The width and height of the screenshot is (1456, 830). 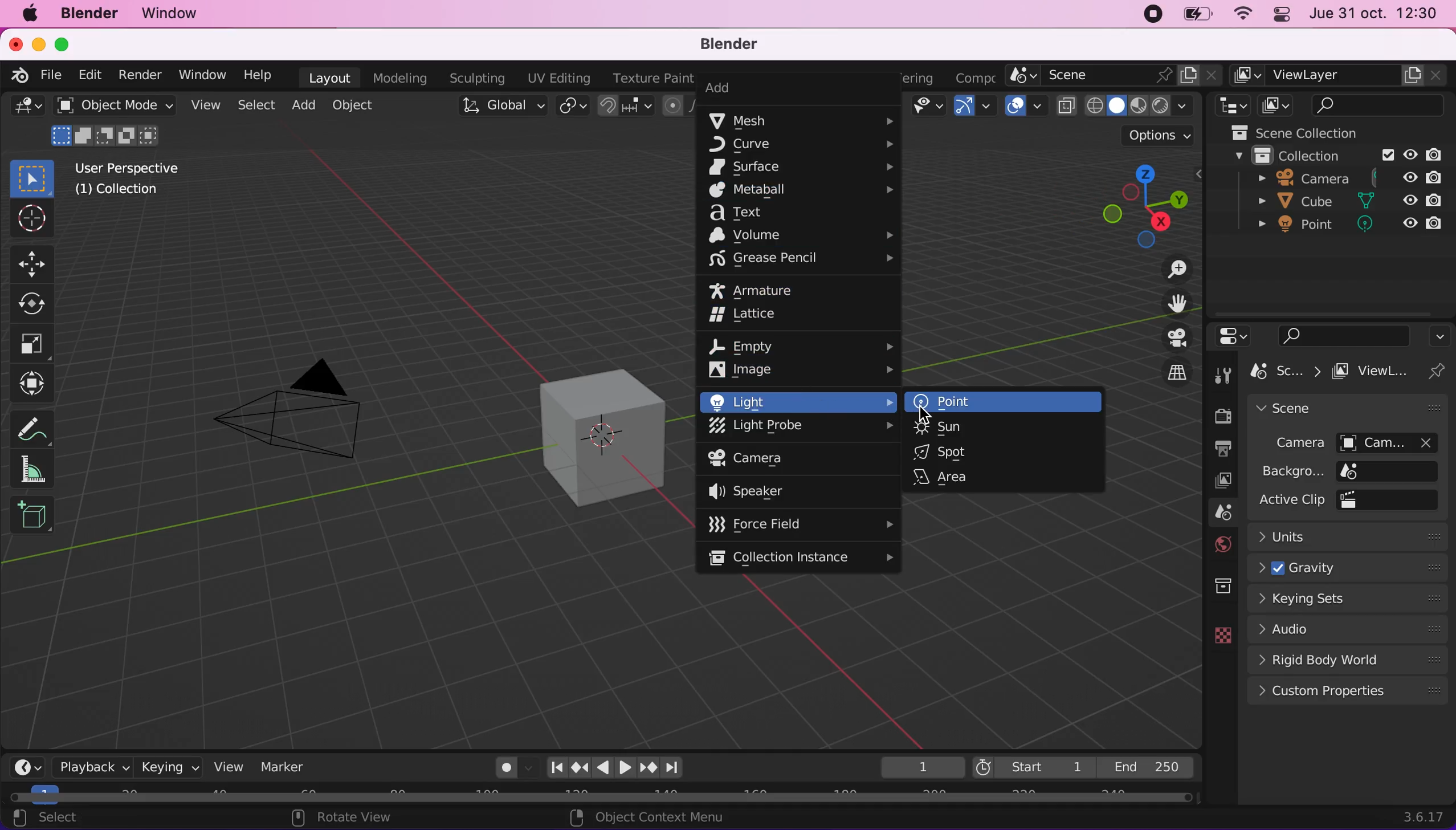 I want to click on hide in viewpoint, so click(x=1413, y=177).